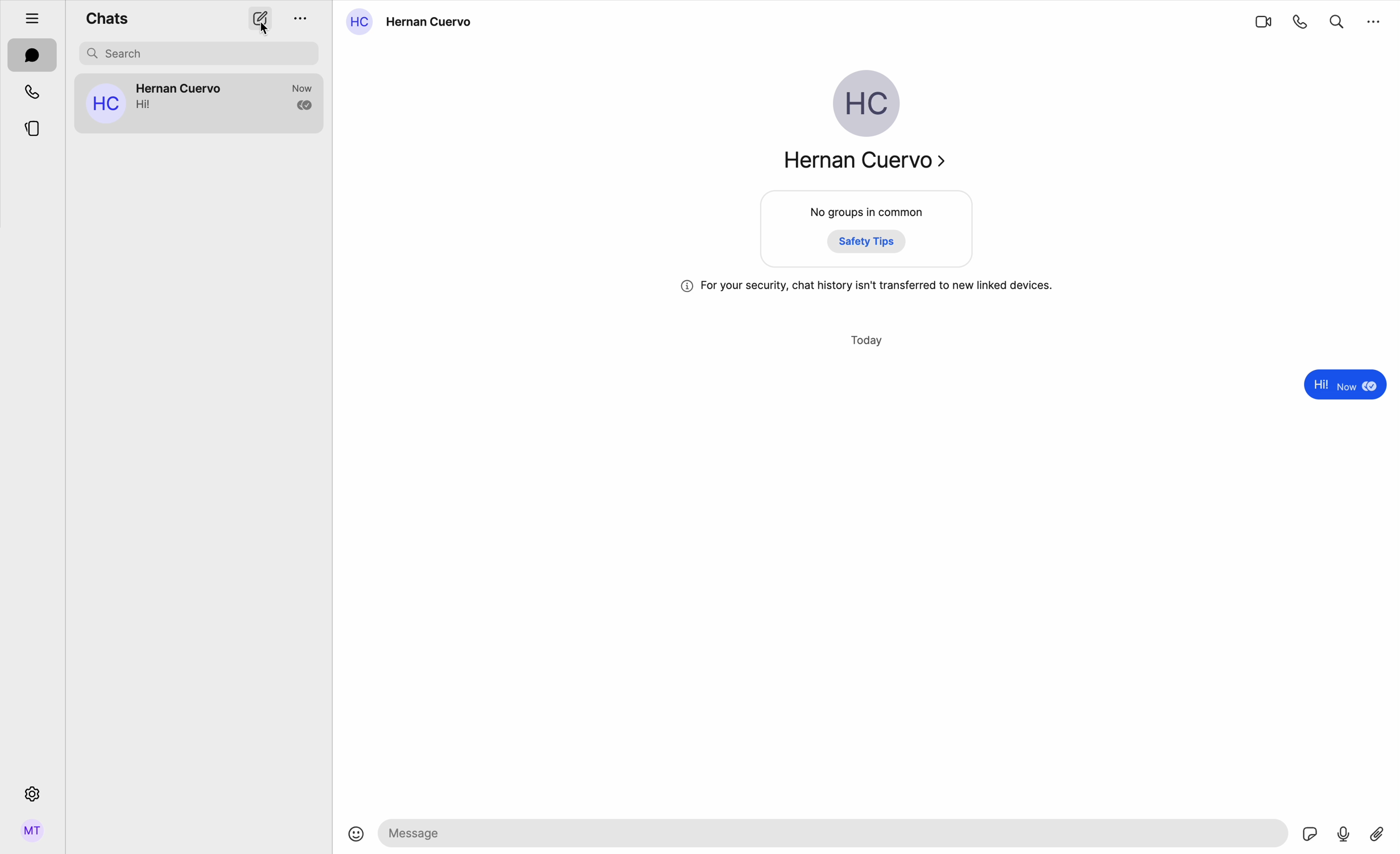 This screenshot has width=1400, height=854. I want to click on attach file, so click(1379, 832).